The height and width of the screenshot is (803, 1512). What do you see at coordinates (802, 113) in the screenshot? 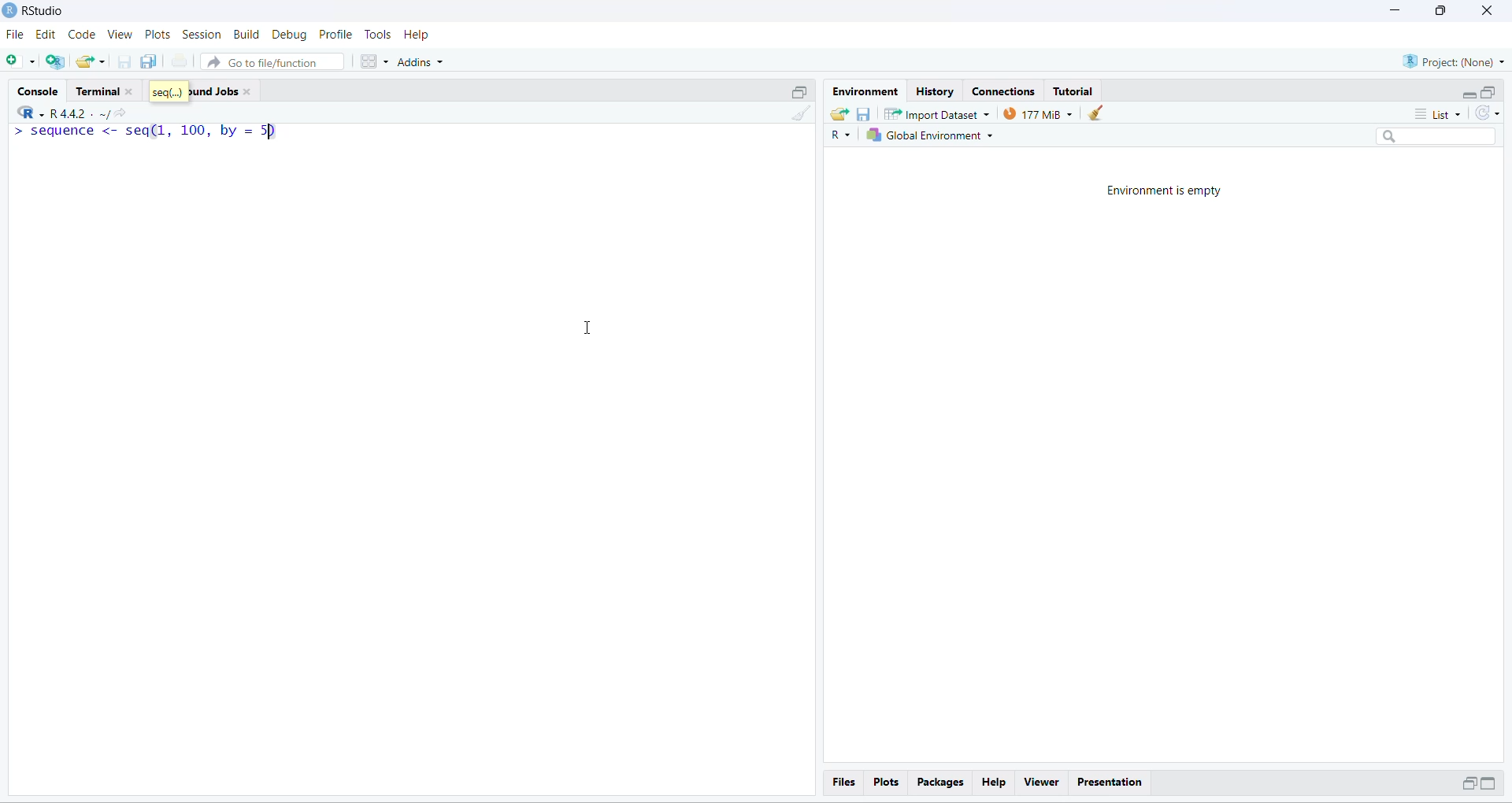
I see `clean` at bounding box center [802, 113].